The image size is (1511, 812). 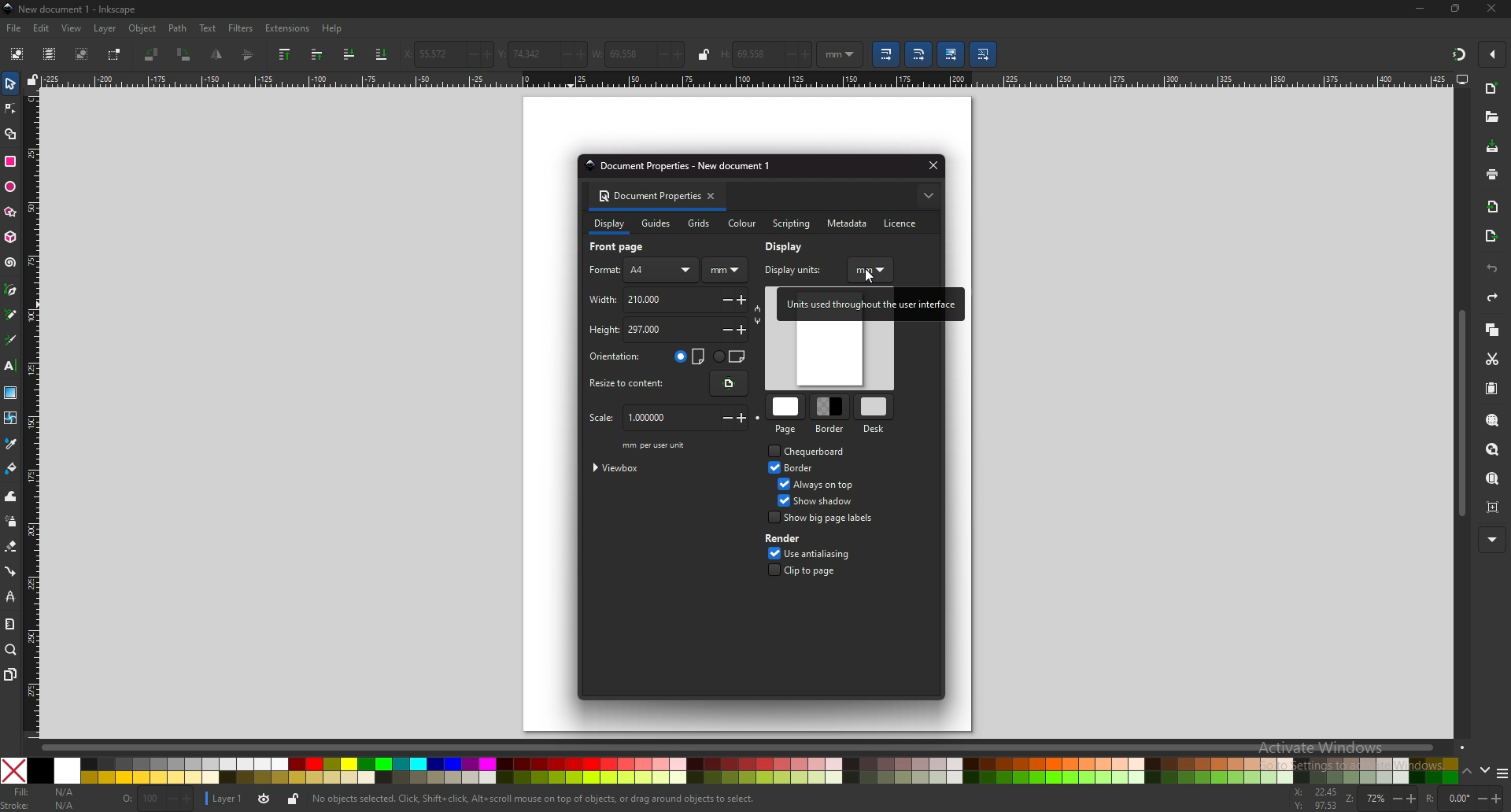 What do you see at coordinates (658, 223) in the screenshot?
I see `guides` at bounding box center [658, 223].